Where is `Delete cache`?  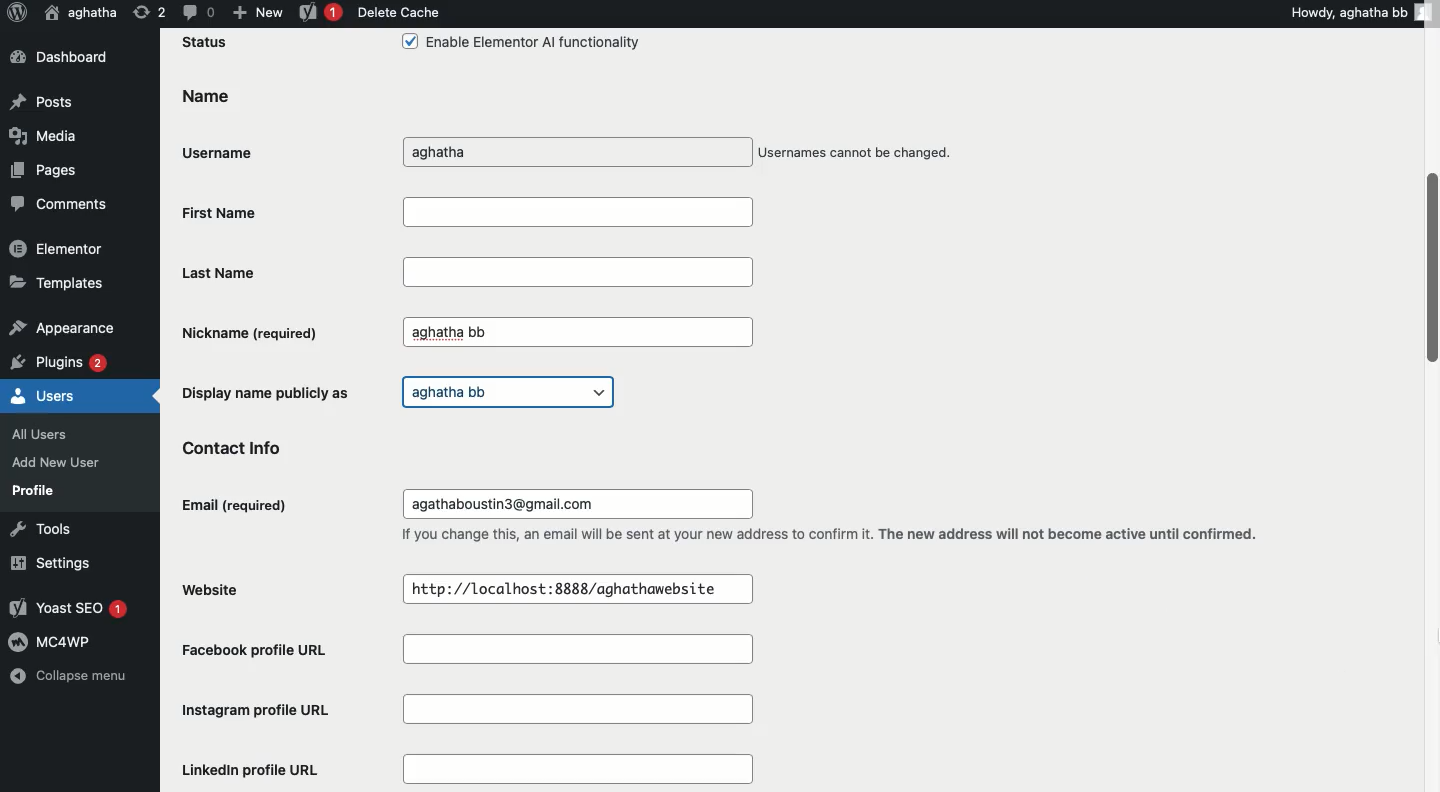 Delete cache is located at coordinates (398, 12).